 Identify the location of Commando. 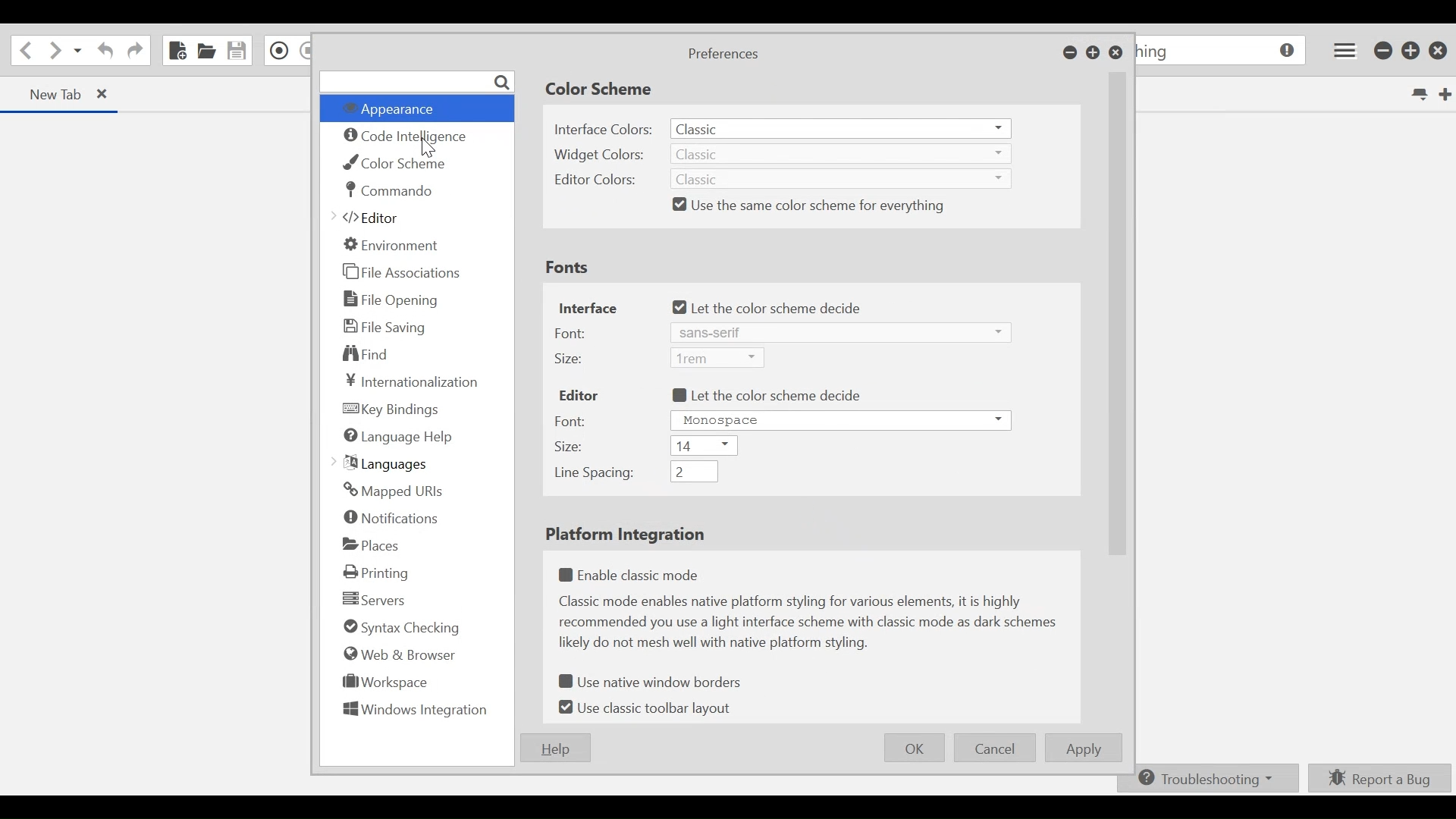
(389, 190).